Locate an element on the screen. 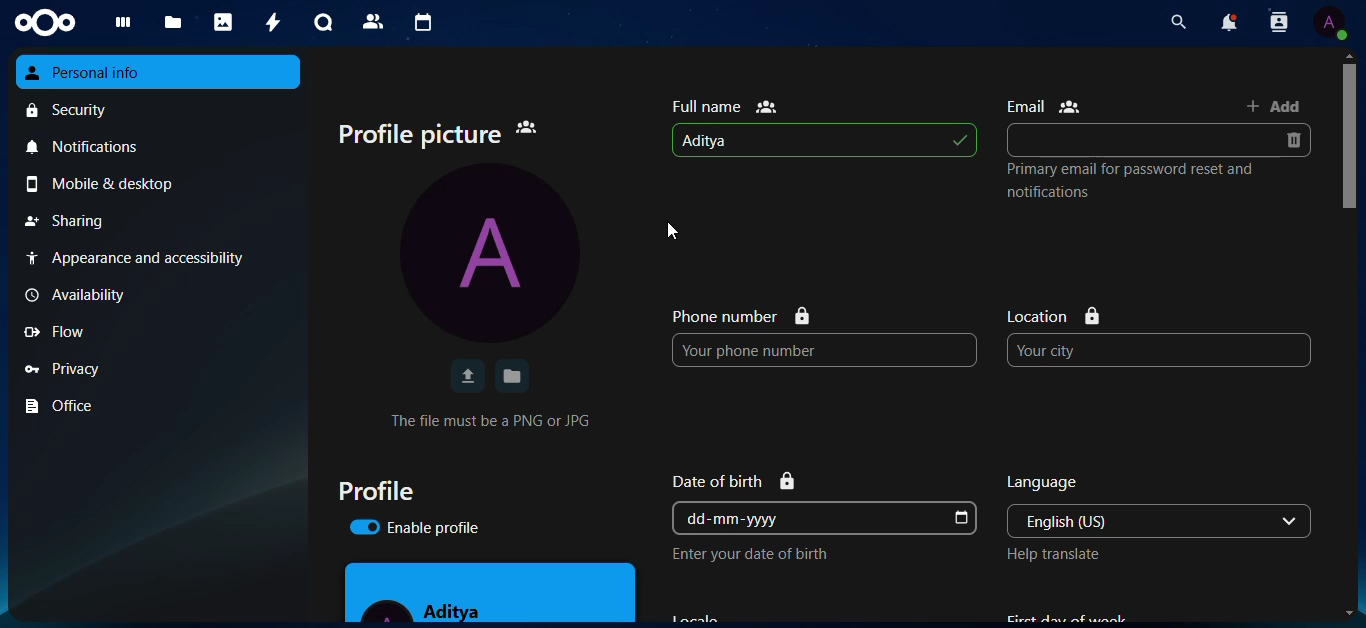 Image resolution: width=1366 pixels, height=628 pixels. scroll bar is located at coordinates (1351, 267).